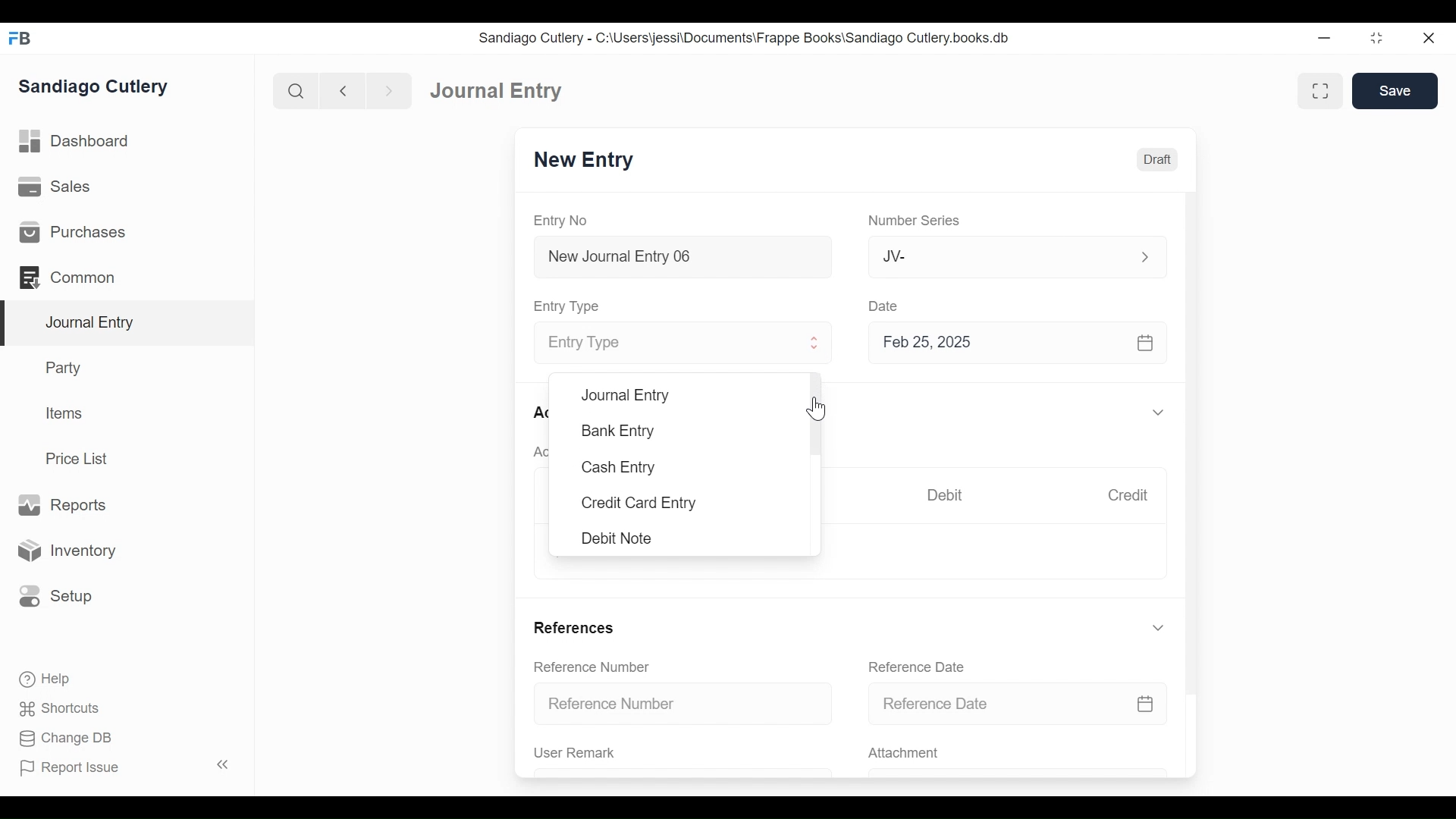 Image resolution: width=1456 pixels, height=819 pixels. Describe the element at coordinates (591, 666) in the screenshot. I see `Reference Number` at that location.